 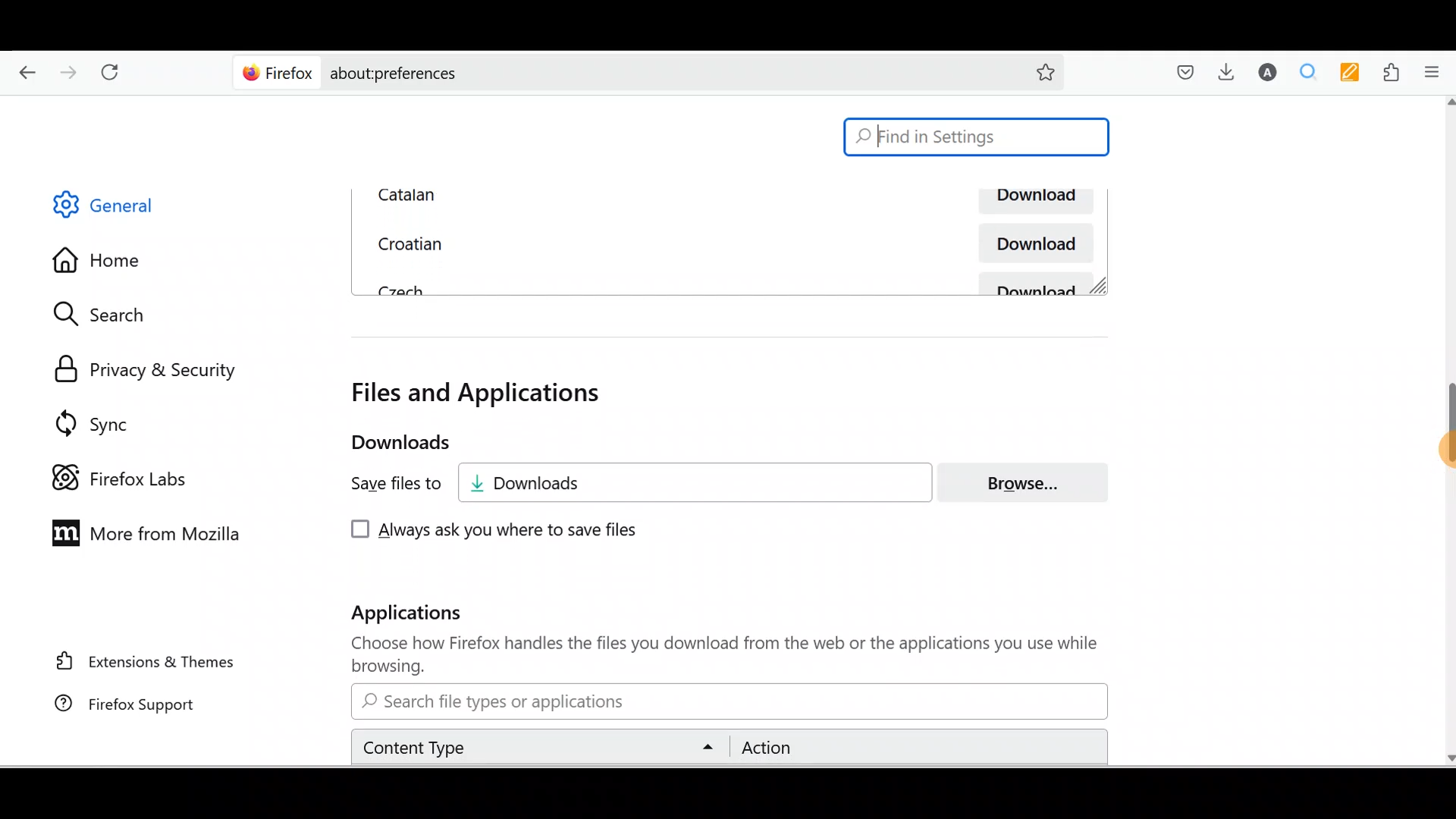 I want to click on Download, so click(x=1039, y=284).